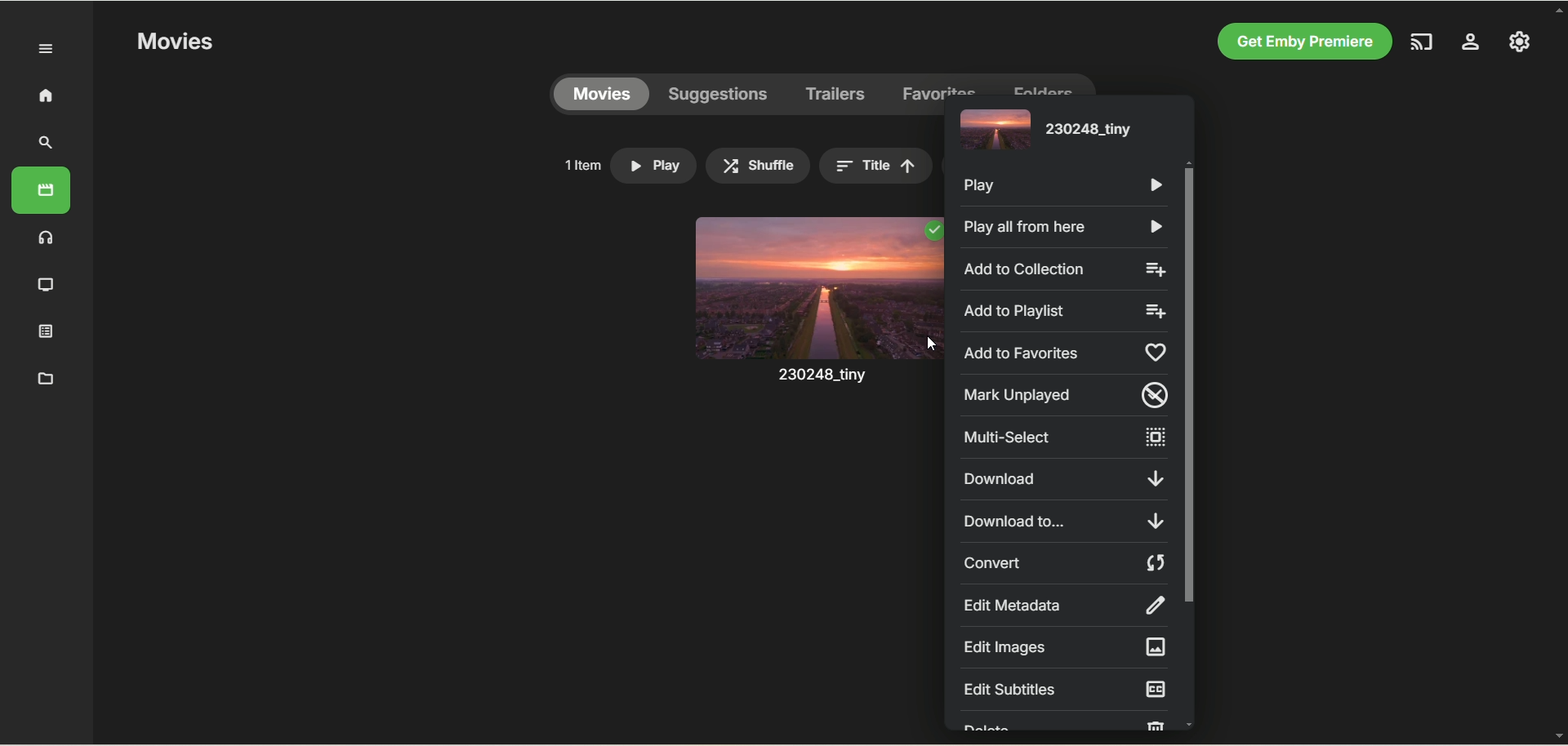 The height and width of the screenshot is (746, 1568). Describe the element at coordinates (47, 237) in the screenshot. I see `music` at that location.